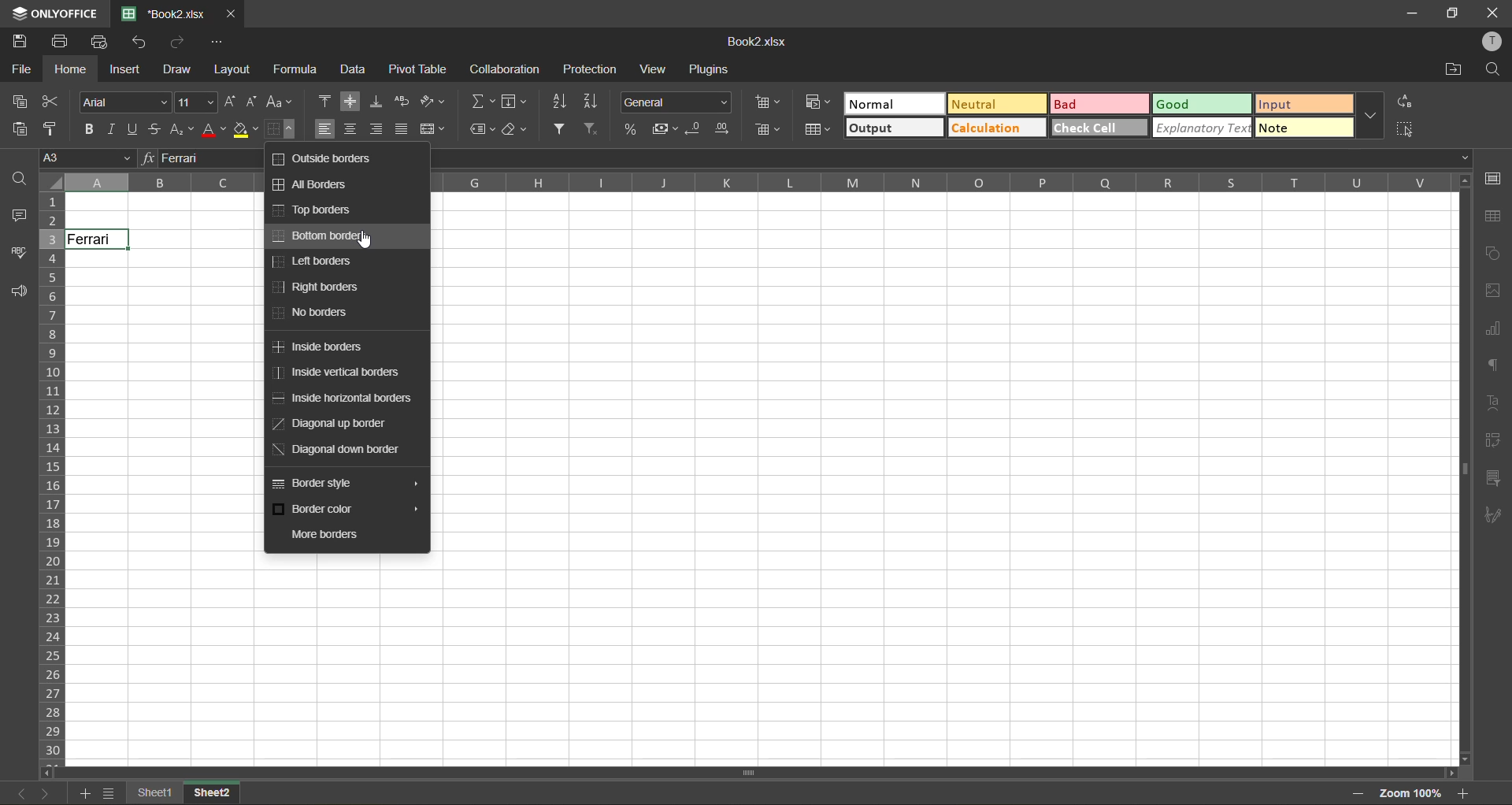 The height and width of the screenshot is (805, 1512). Describe the element at coordinates (233, 68) in the screenshot. I see `layout` at that location.